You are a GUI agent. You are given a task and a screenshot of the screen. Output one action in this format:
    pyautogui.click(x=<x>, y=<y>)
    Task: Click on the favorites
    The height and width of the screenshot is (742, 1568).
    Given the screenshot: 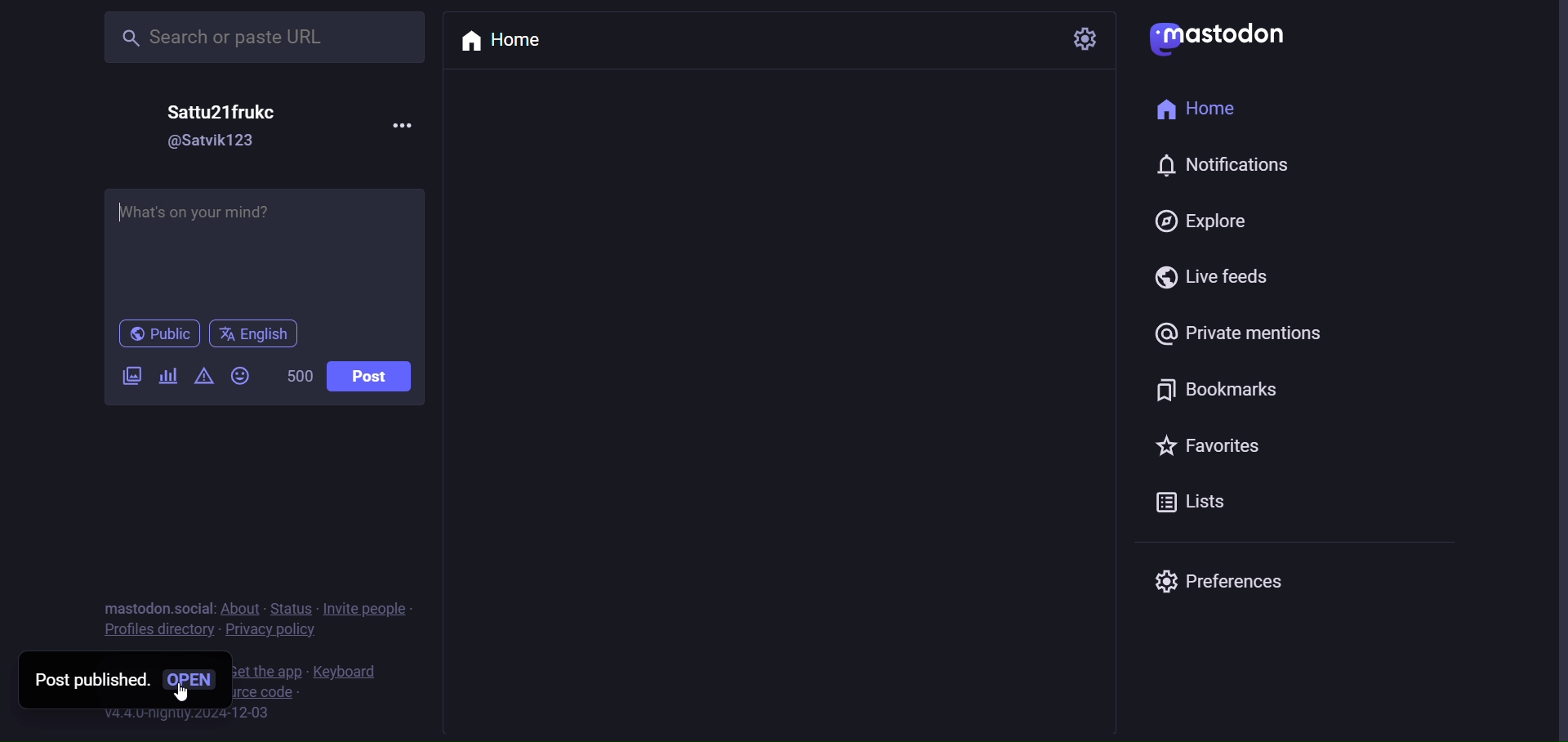 What is the action you would take?
    pyautogui.click(x=1211, y=445)
    